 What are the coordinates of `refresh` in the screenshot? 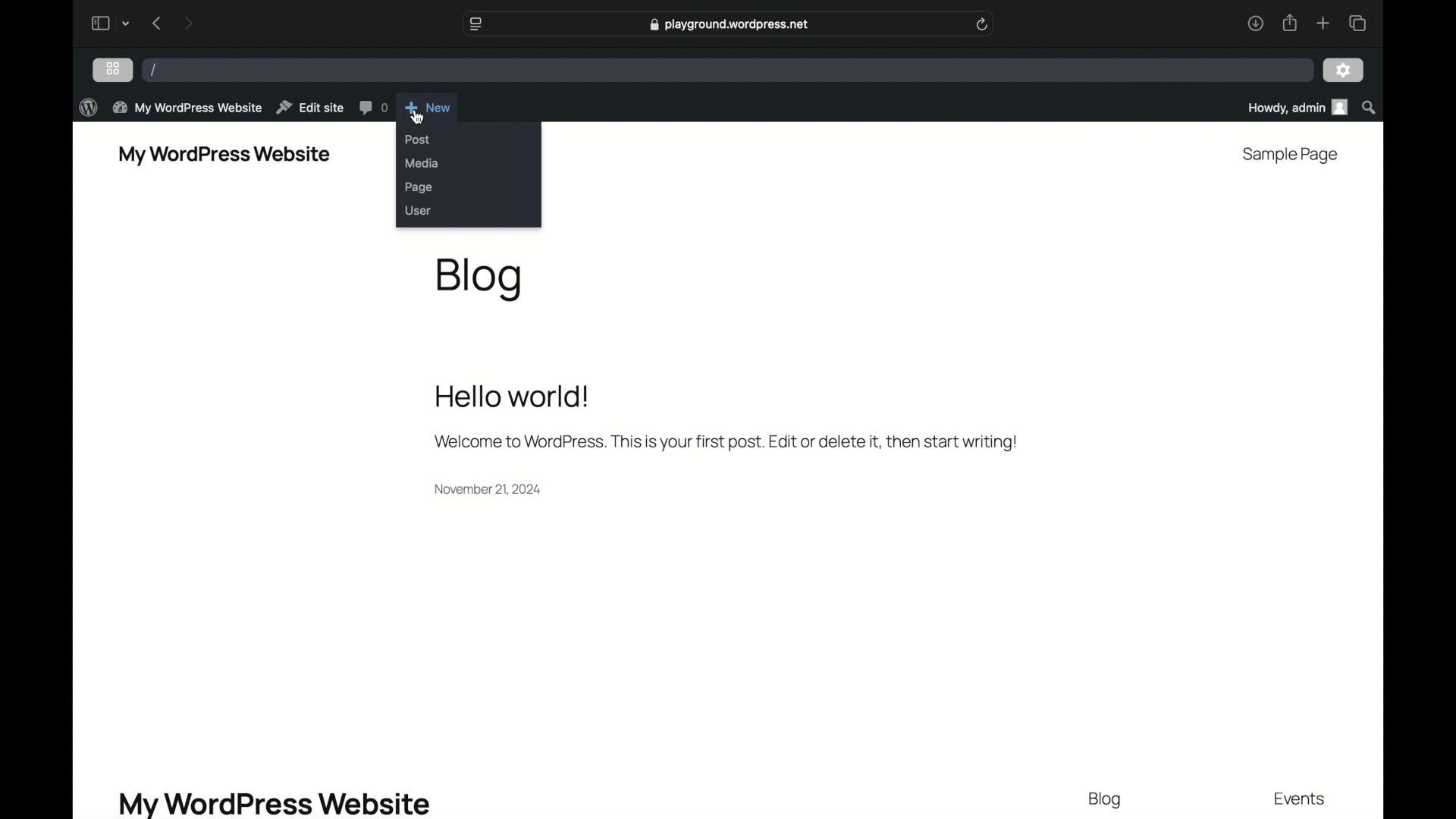 It's located at (983, 24).